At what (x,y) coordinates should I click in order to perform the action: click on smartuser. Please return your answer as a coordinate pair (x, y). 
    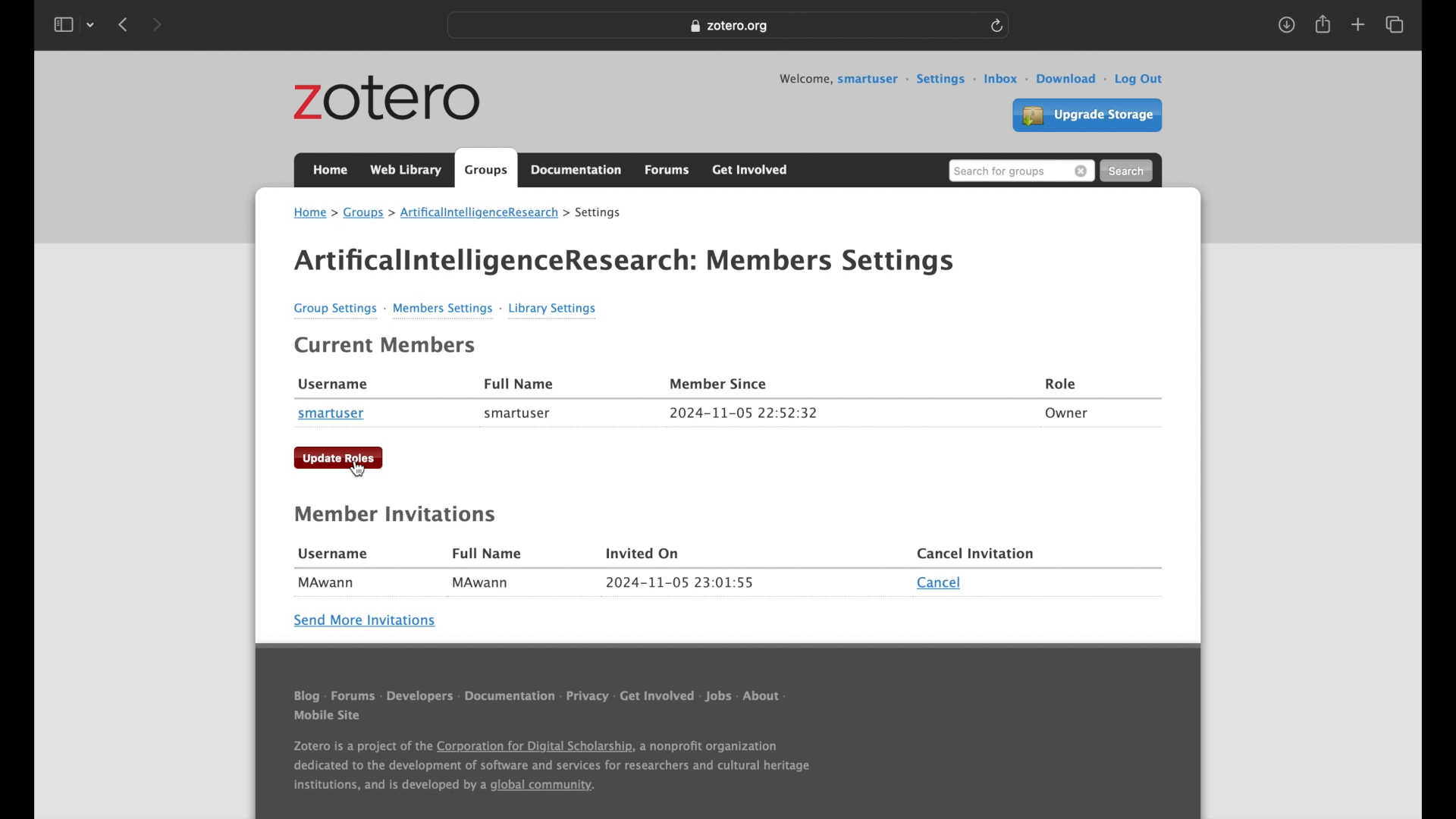
    Looking at the image, I should click on (522, 415).